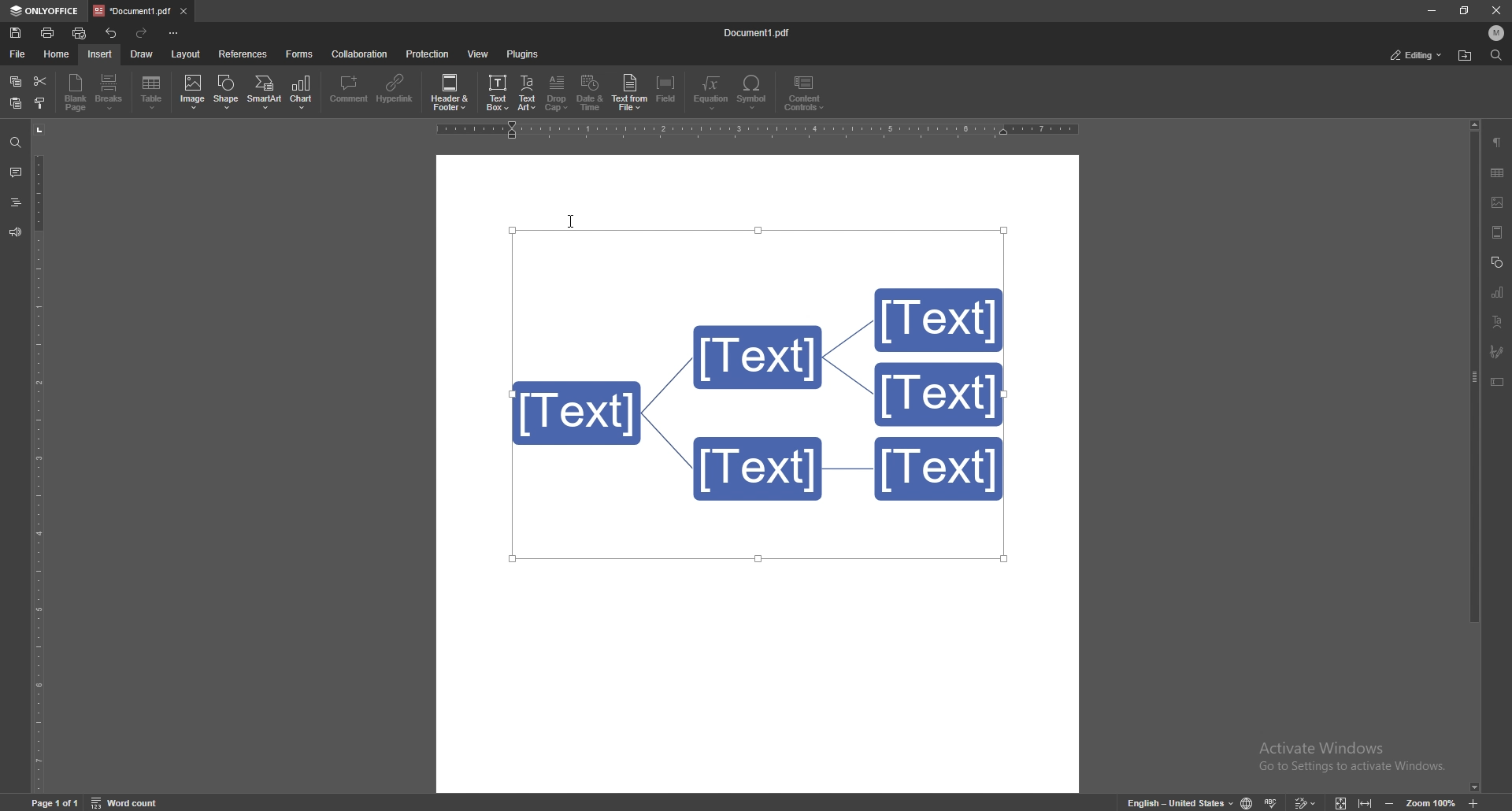 Image resolution: width=1512 pixels, height=811 pixels. Describe the element at coordinates (450, 91) in the screenshot. I see `header and footer` at that location.